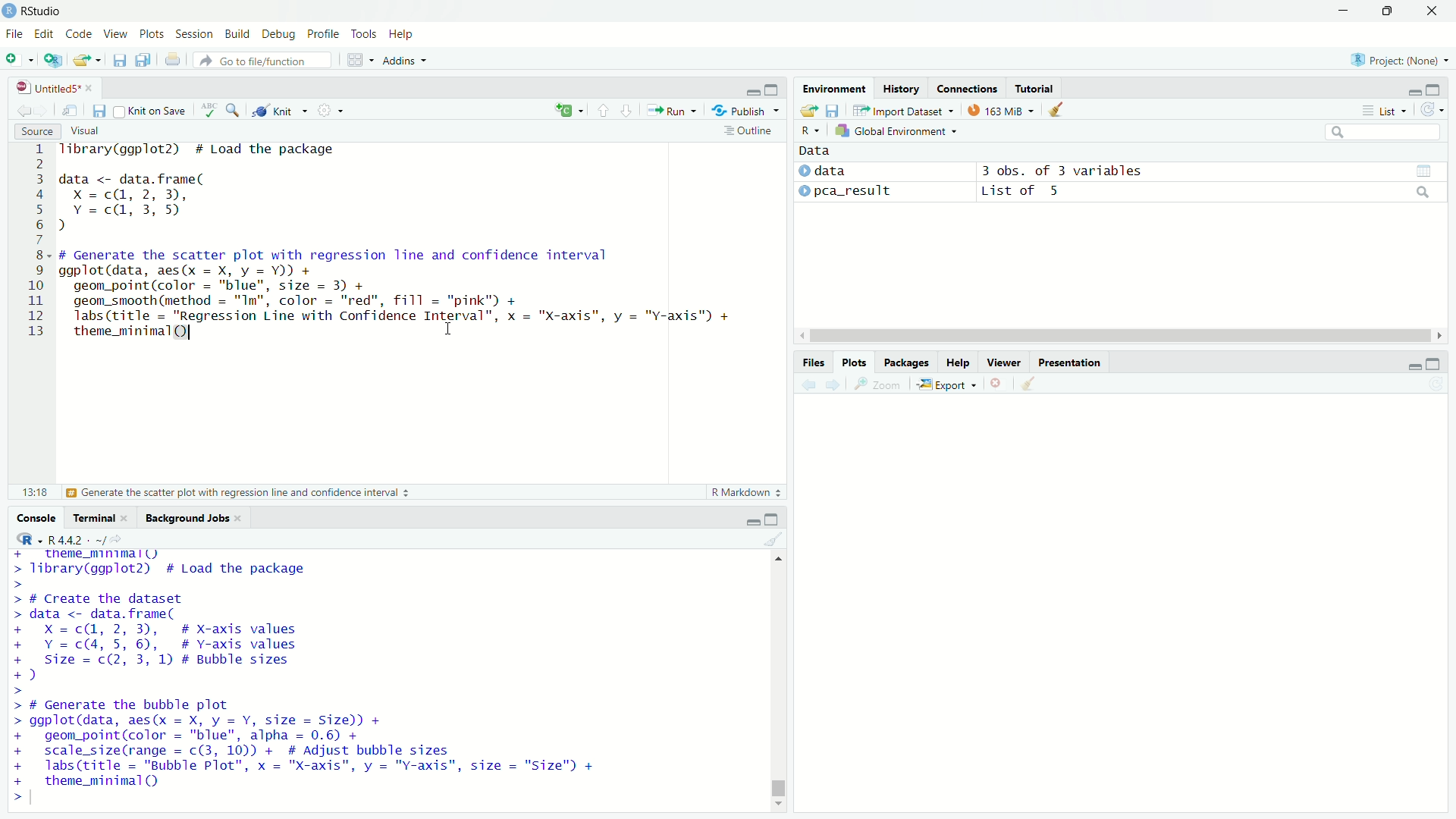  I want to click on Addins, so click(404, 60).